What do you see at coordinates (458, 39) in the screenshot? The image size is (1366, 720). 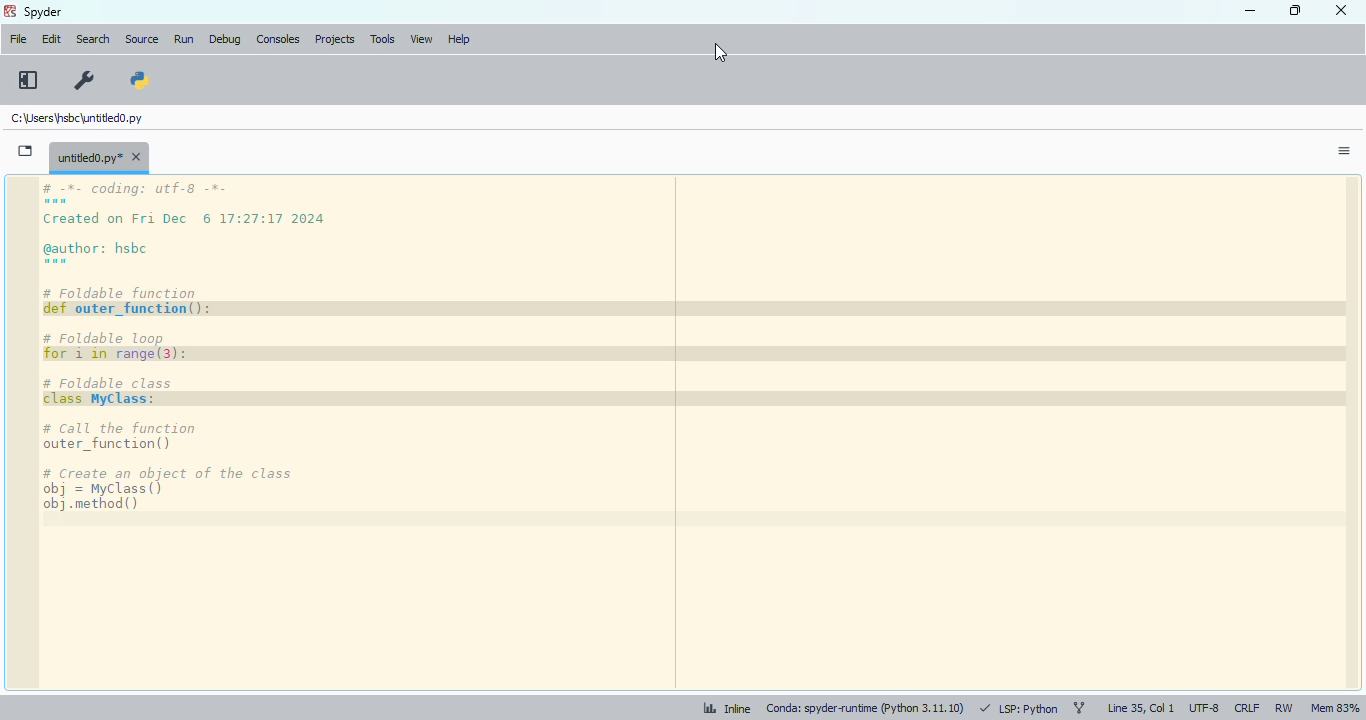 I see `help` at bounding box center [458, 39].